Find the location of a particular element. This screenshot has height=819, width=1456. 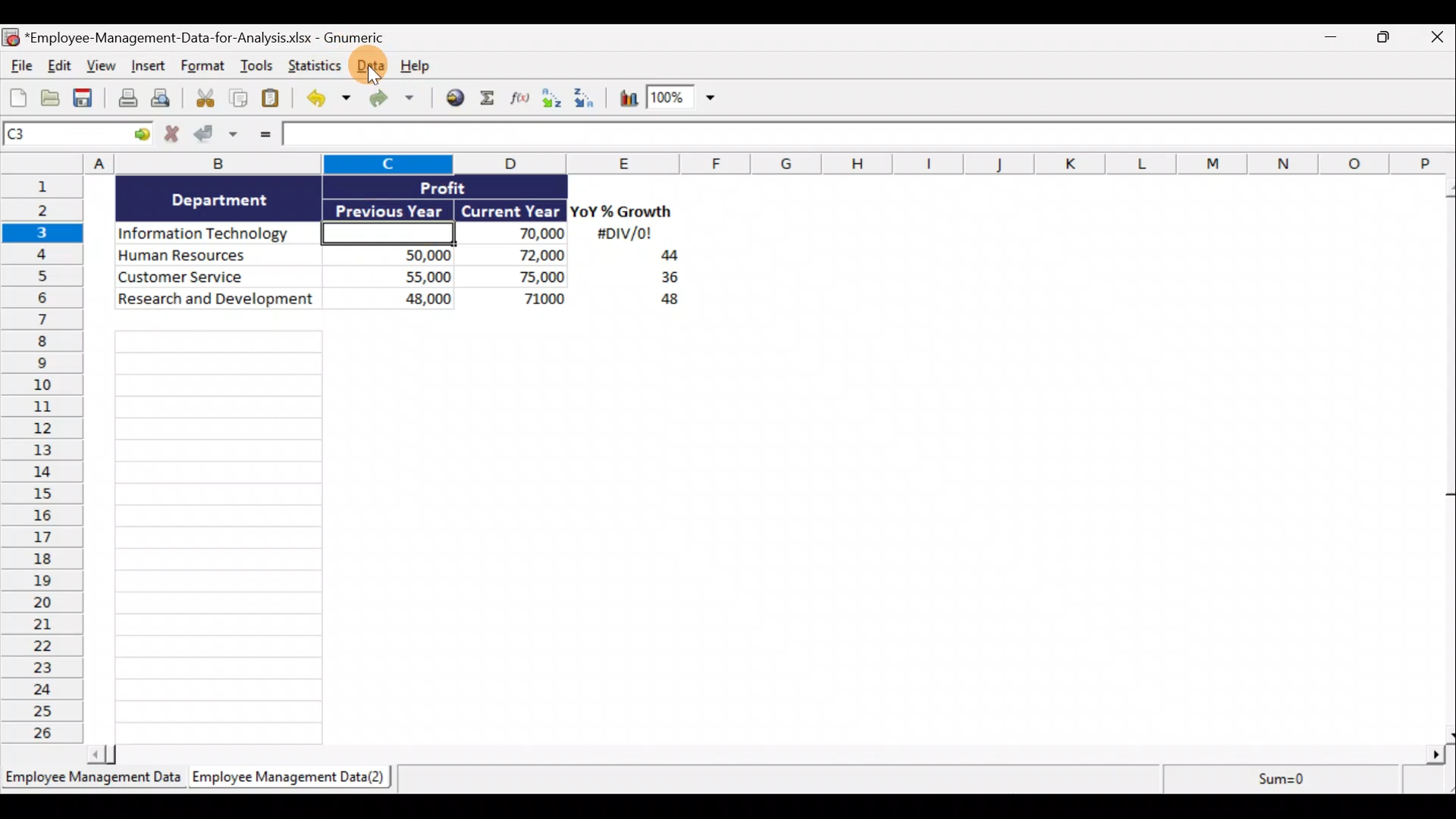

Employee Management Data is located at coordinates (92, 777).